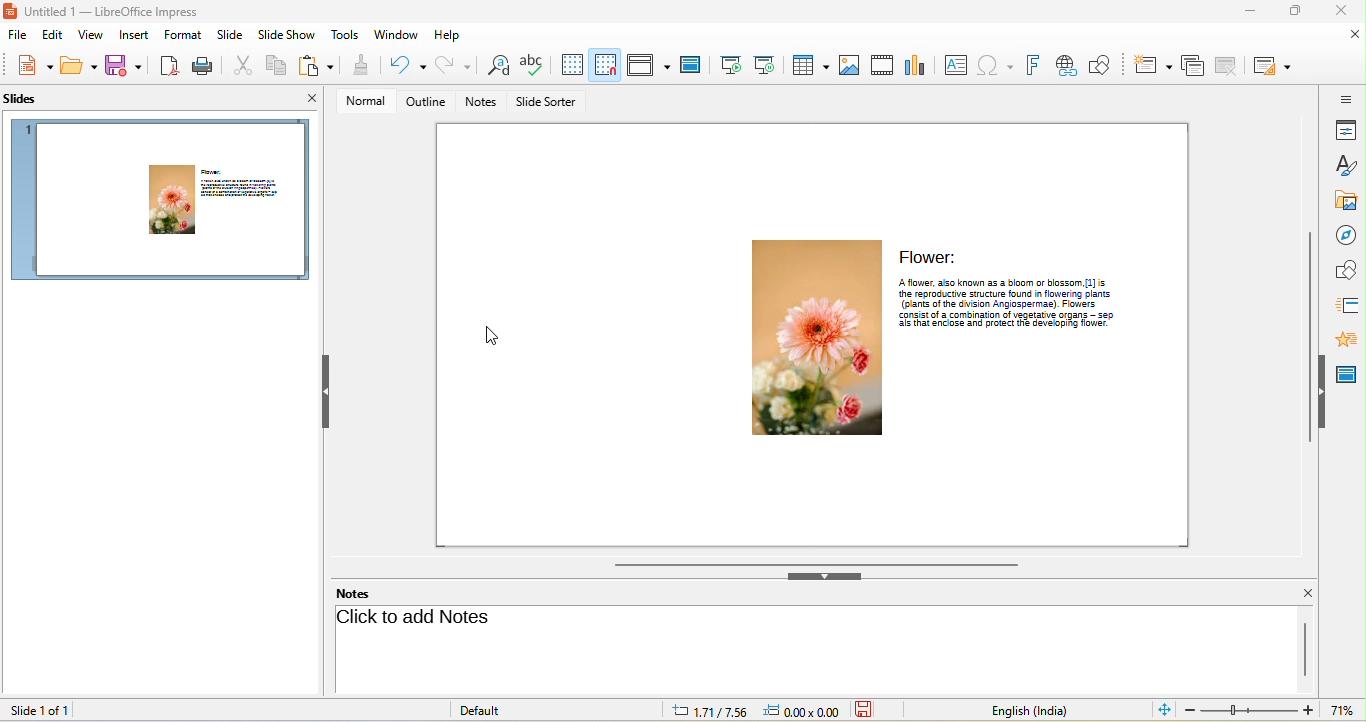 This screenshot has width=1366, height=722. Describe the element at coordinates (1348, 198) in the screenshot. I see `gallery` at that location.